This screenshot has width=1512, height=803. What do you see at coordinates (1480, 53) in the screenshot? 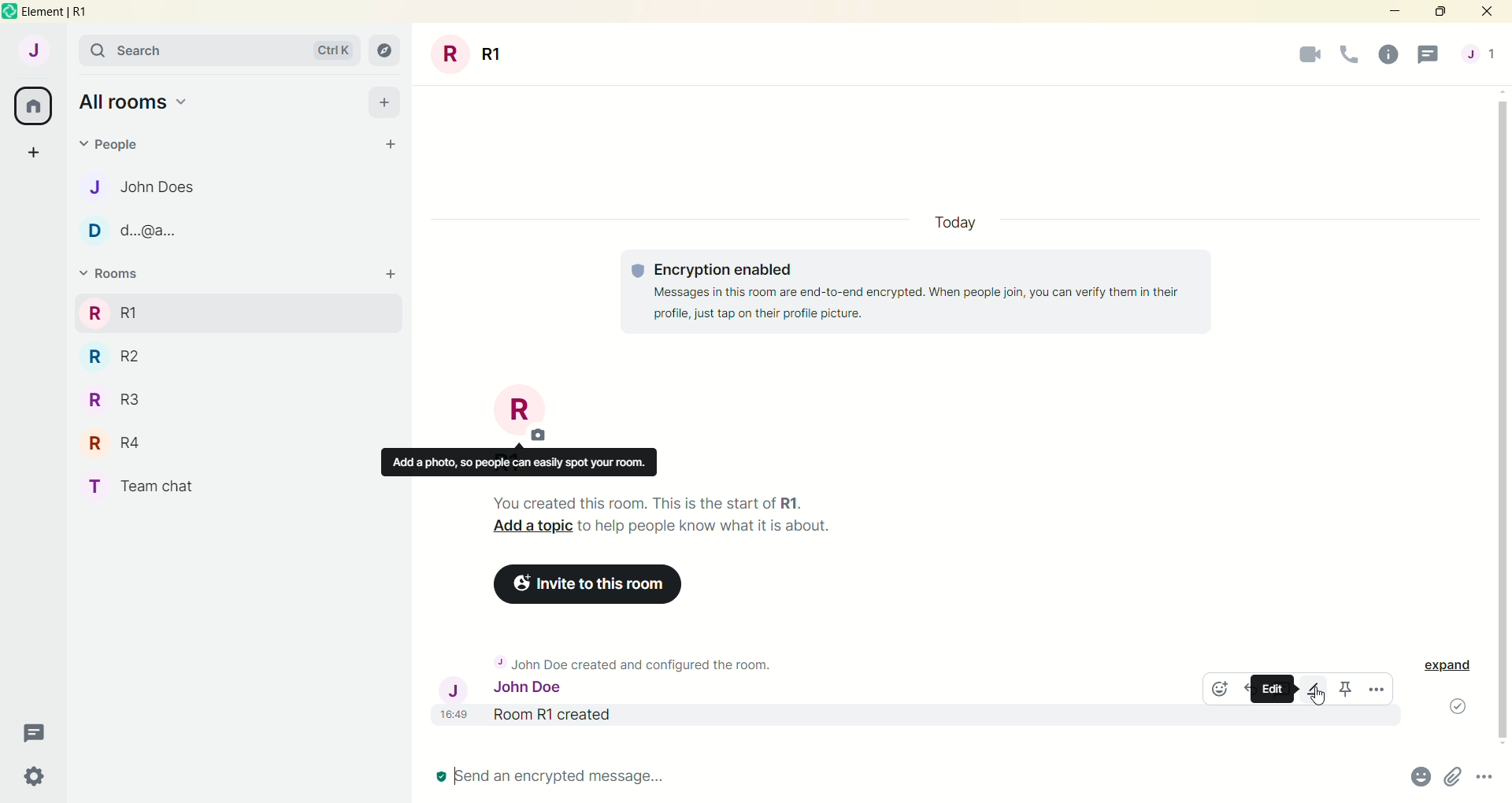
I see `people` at bounding box center [1480, 53].